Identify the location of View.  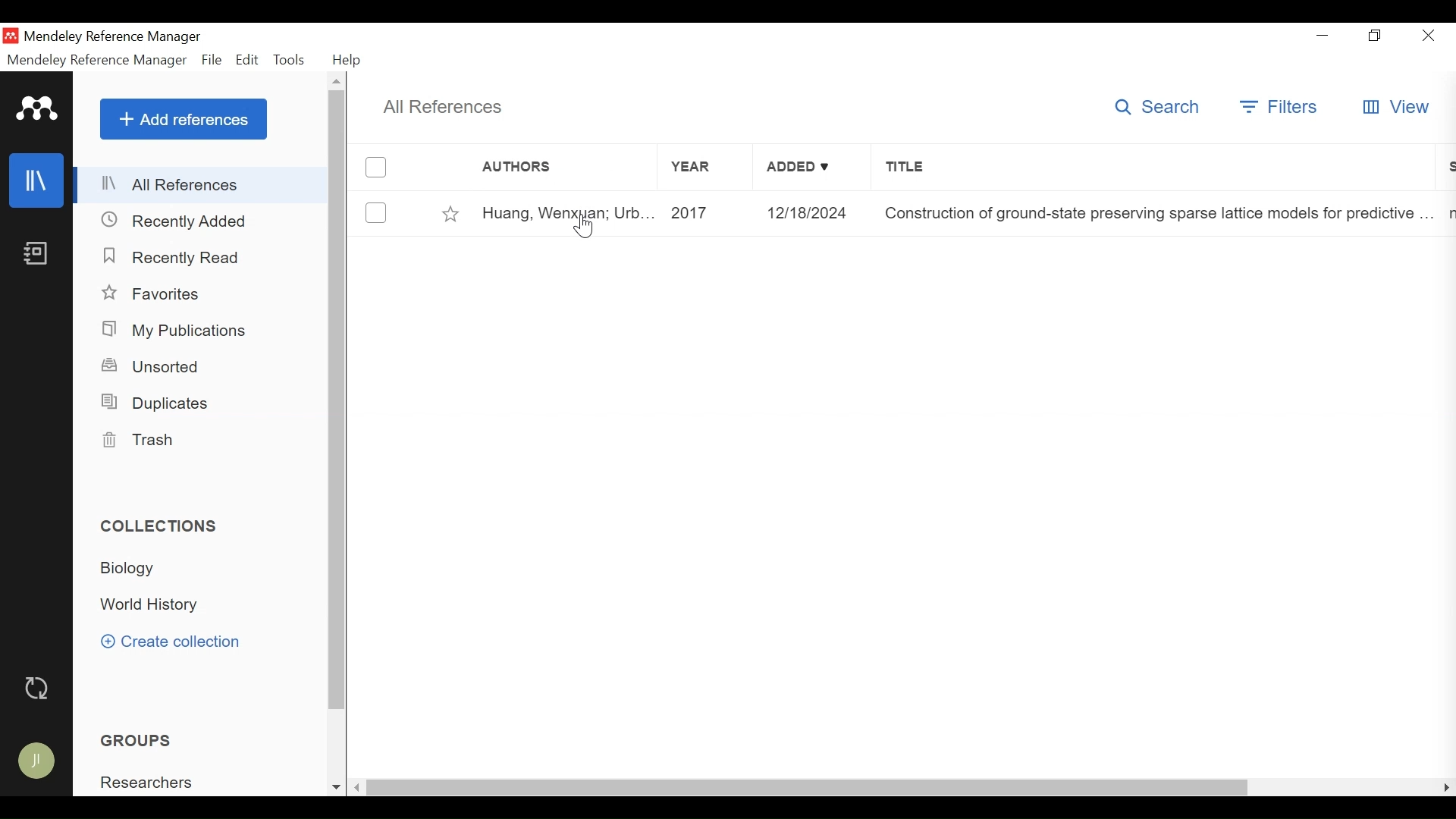
(1394, 106).